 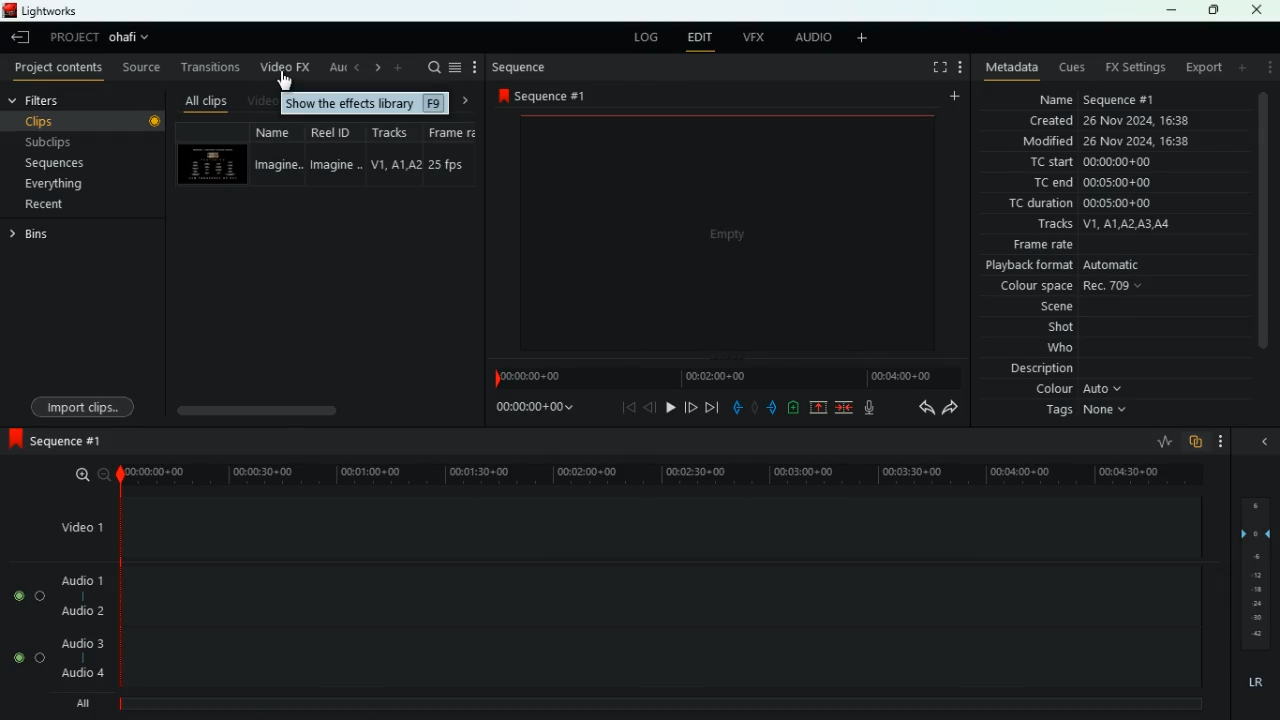 What do you see at coordinates (55, 10) in the screenshot?
I see `loghtworks` at bounding box center [55, 10].